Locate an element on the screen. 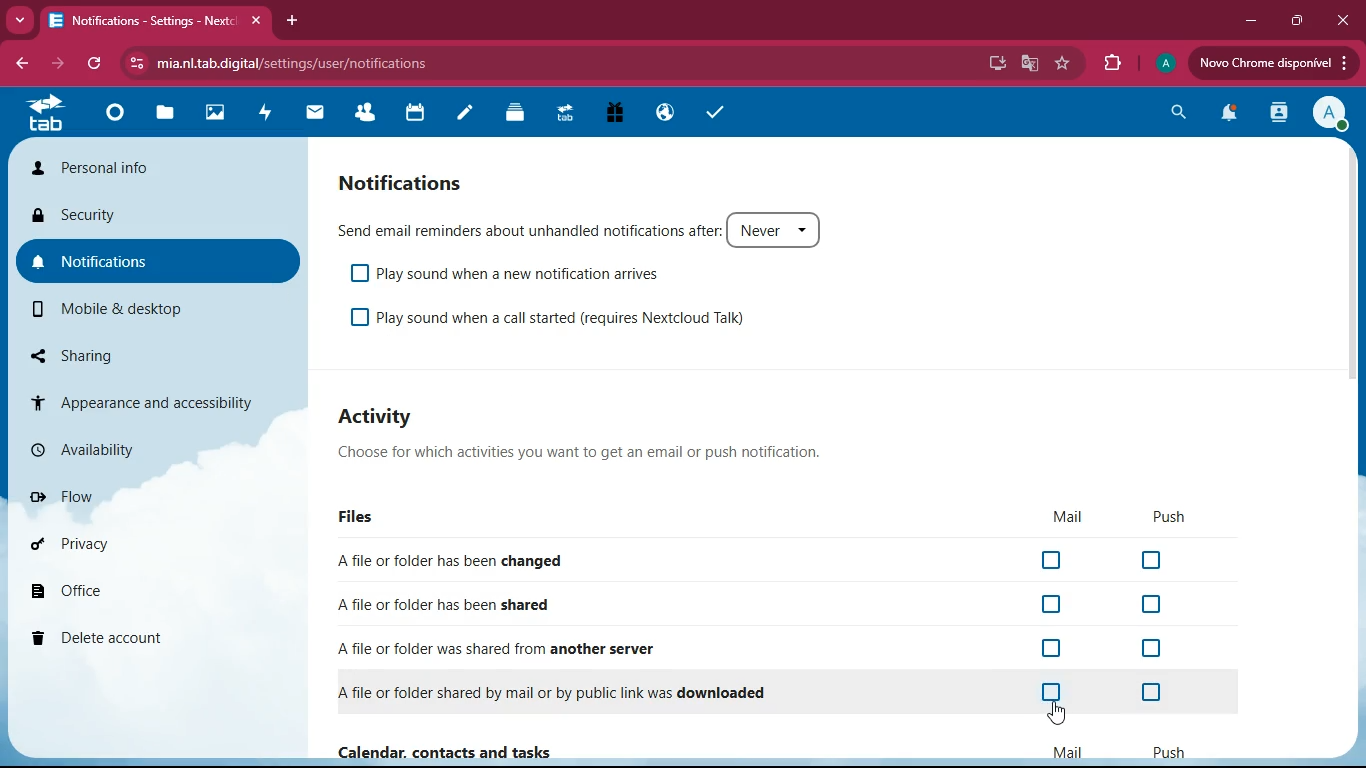 The height and width of the screenshot is (768, 1366). push is located at coordinates (1163, 518).